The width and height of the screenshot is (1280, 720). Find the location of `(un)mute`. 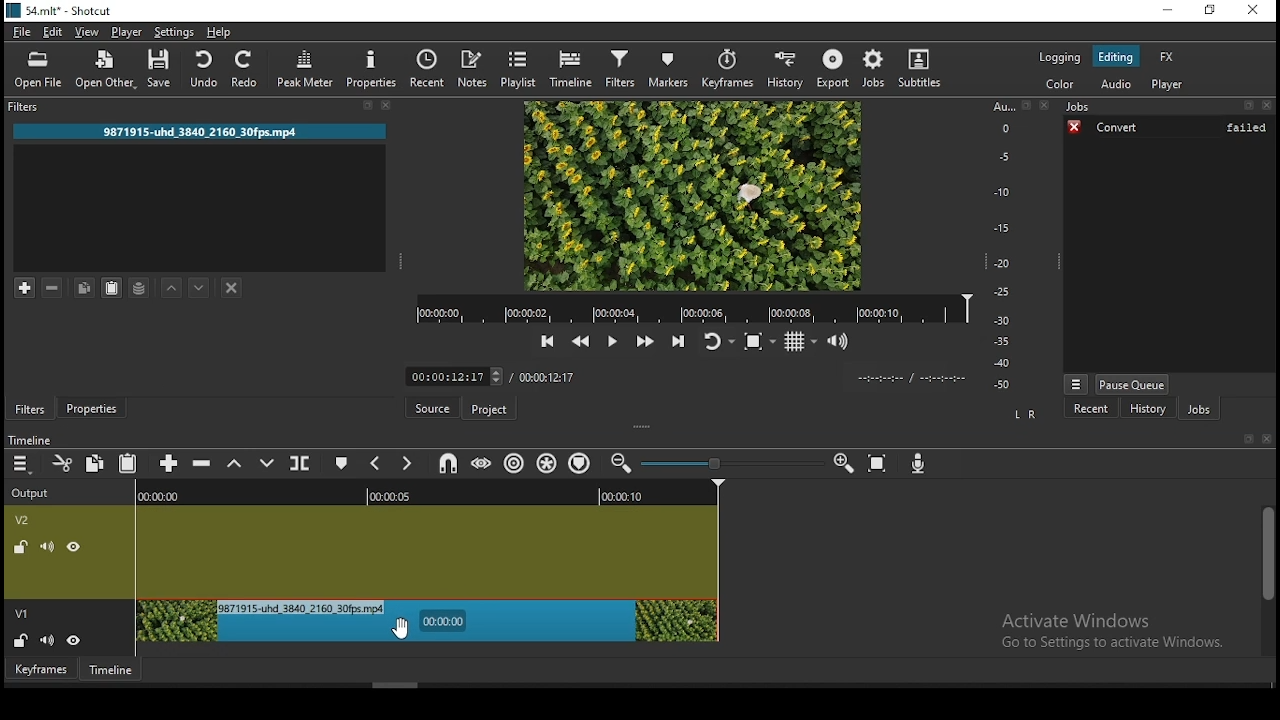

(un)mute is located at coordinates (47, 548).